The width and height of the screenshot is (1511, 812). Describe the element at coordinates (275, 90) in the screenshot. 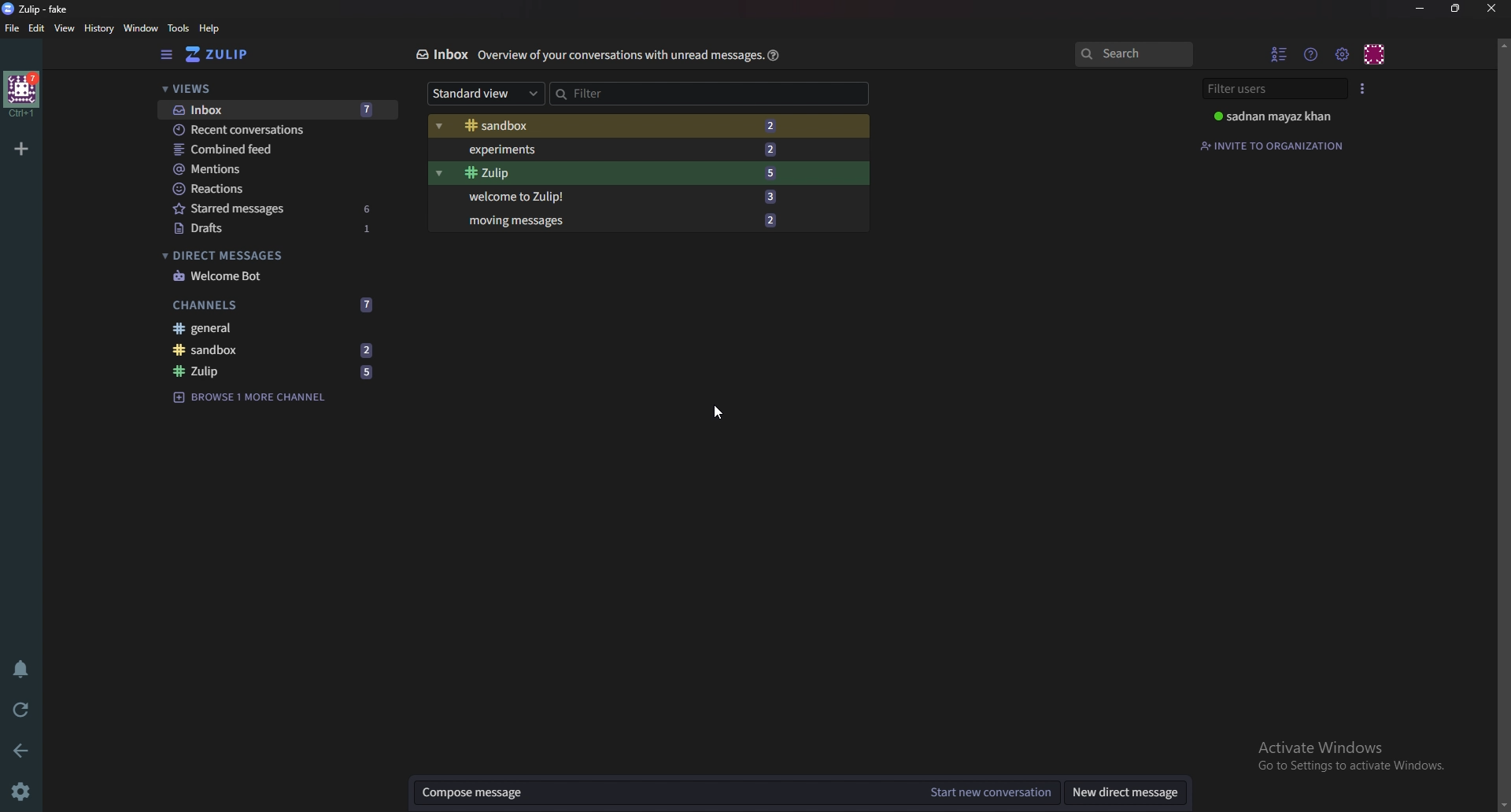

I see `Views` at that location.